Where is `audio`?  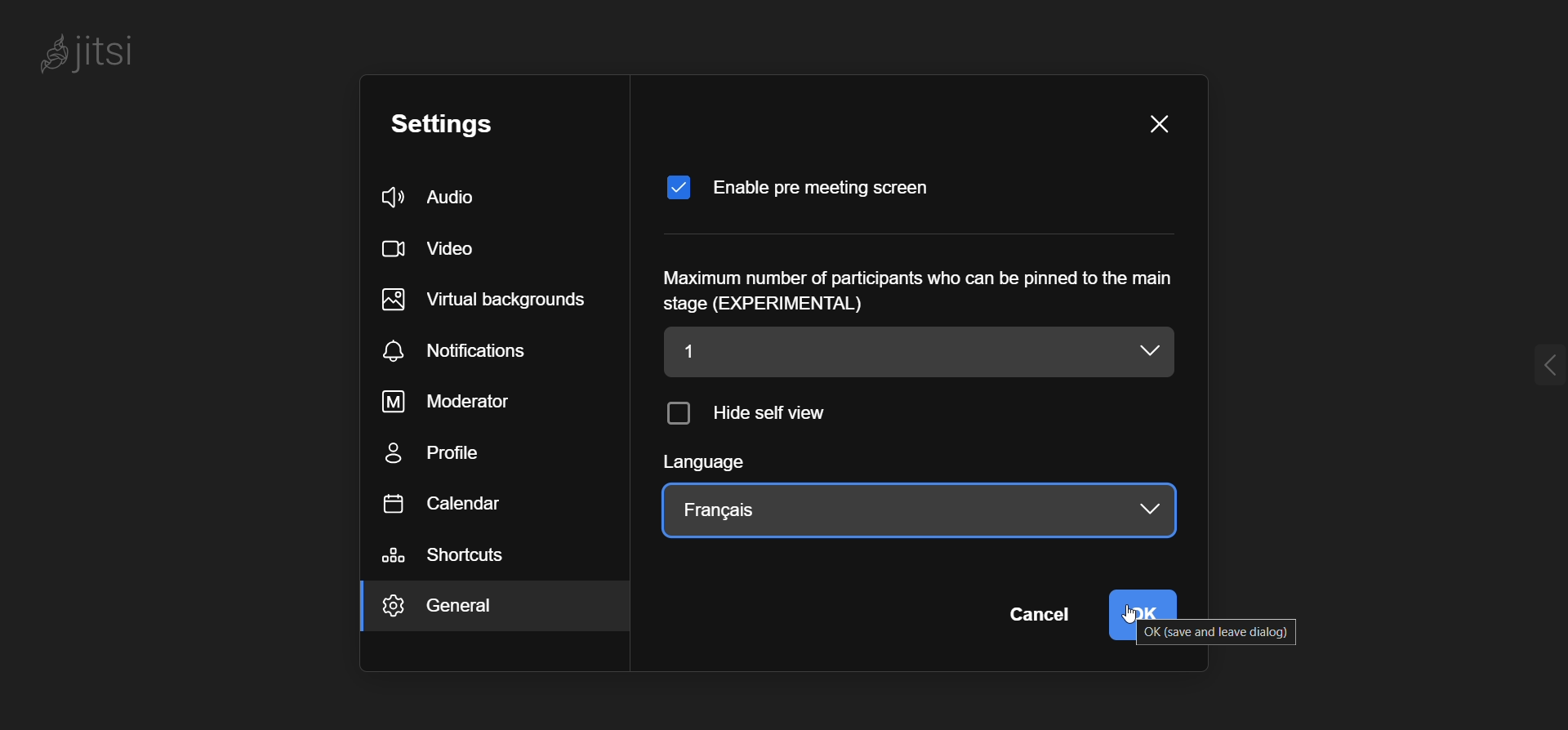 audio is located at coordinates (445, 195).